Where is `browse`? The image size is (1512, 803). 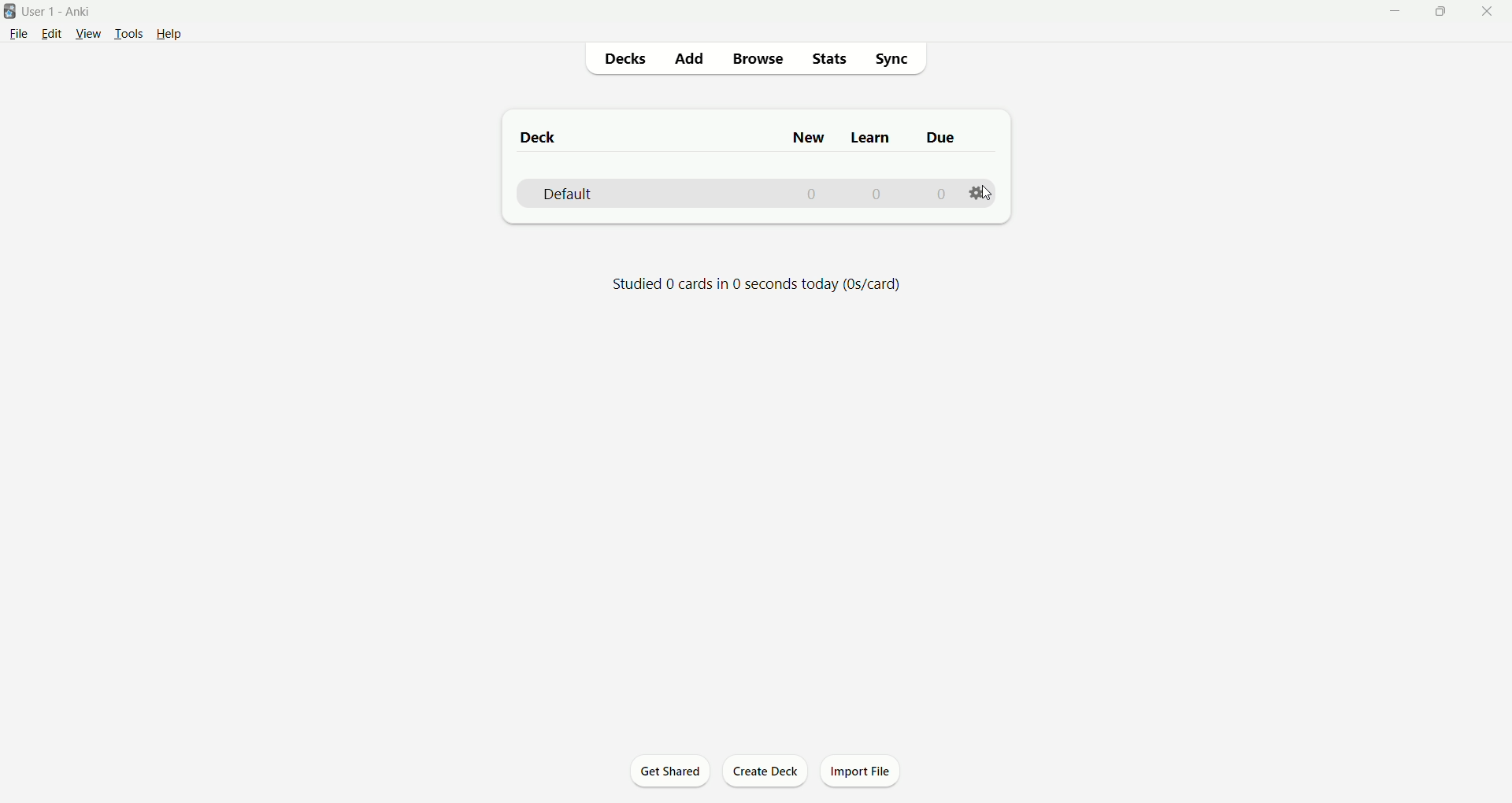 browse is located at coordinates (759, 60).